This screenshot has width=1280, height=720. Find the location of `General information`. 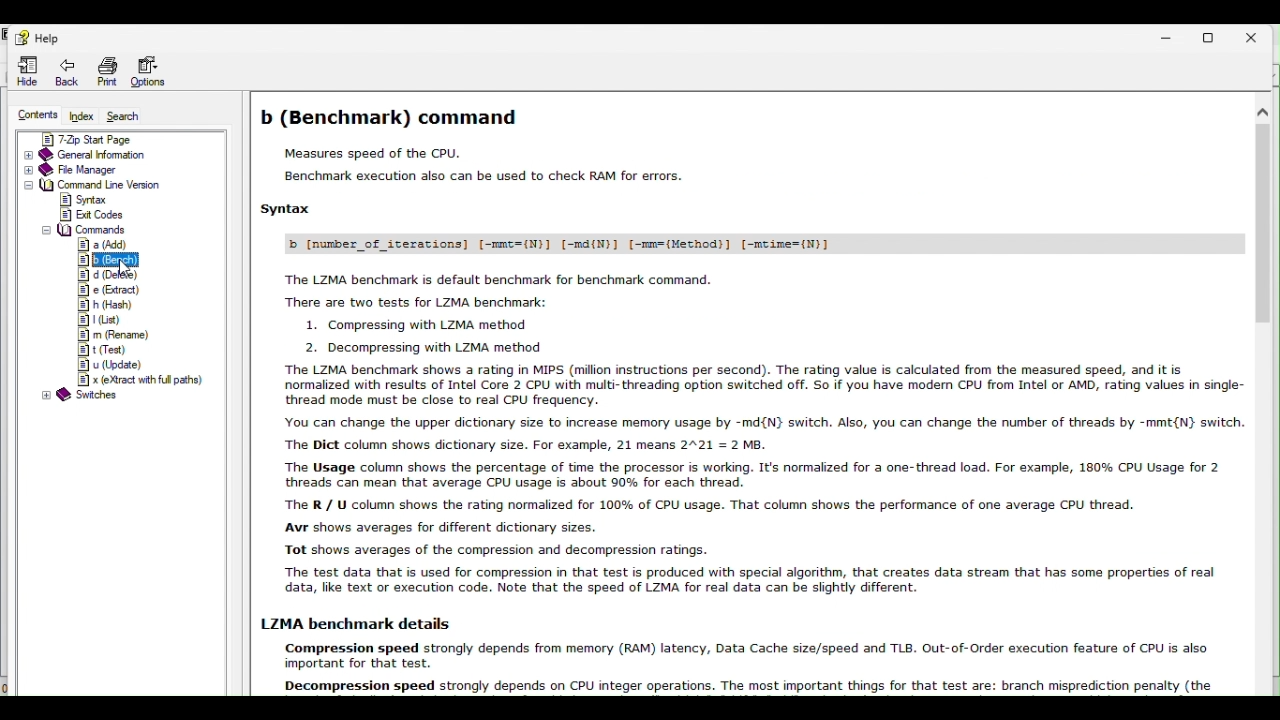

General information is located at coordinates (100, 155).